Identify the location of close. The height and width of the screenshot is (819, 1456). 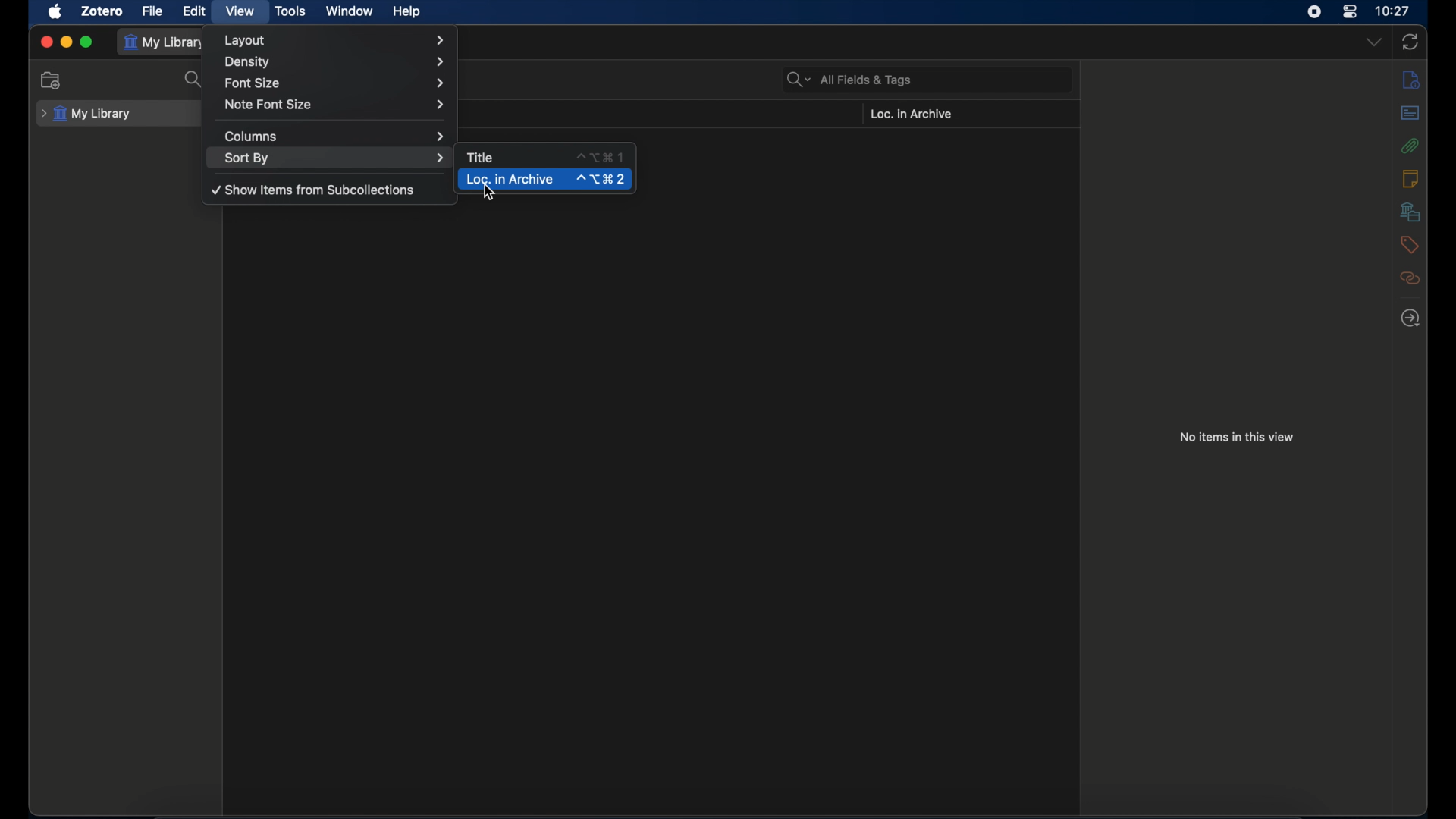
(46, 42).